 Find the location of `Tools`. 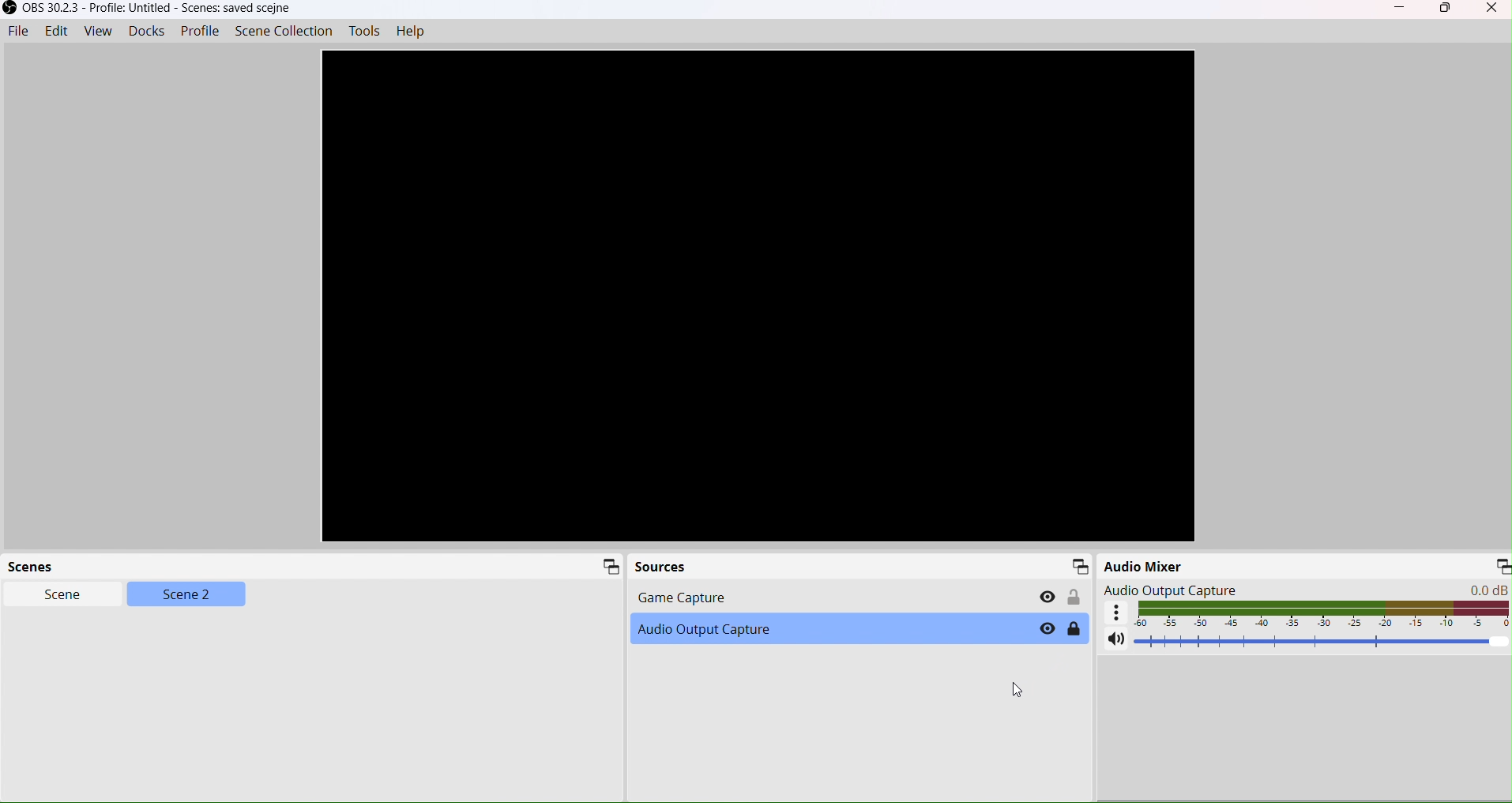

Tools is located at coordinates (367, 32).